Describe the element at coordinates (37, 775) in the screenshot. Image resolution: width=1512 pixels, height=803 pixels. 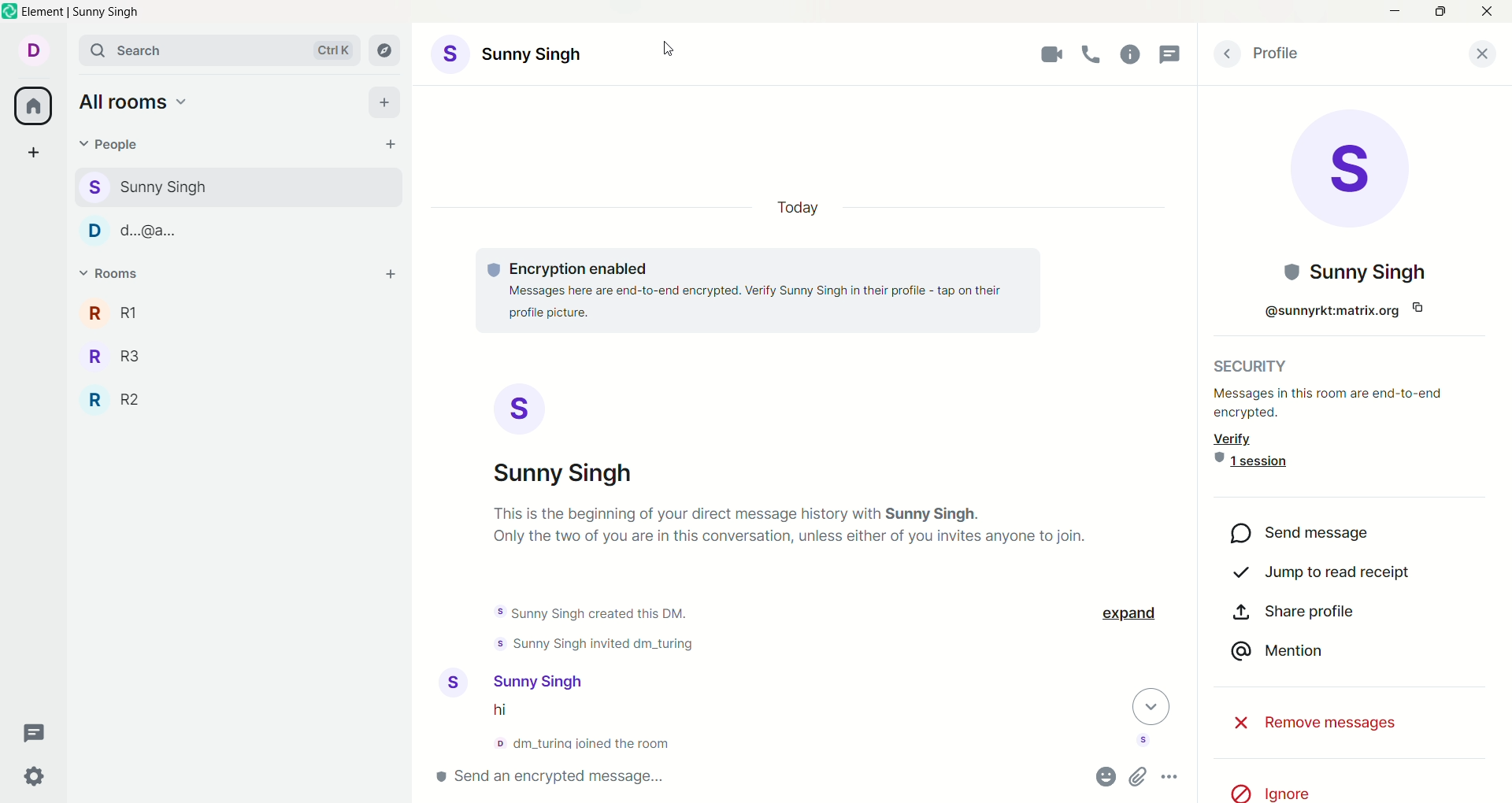
I see `settings` at that location.